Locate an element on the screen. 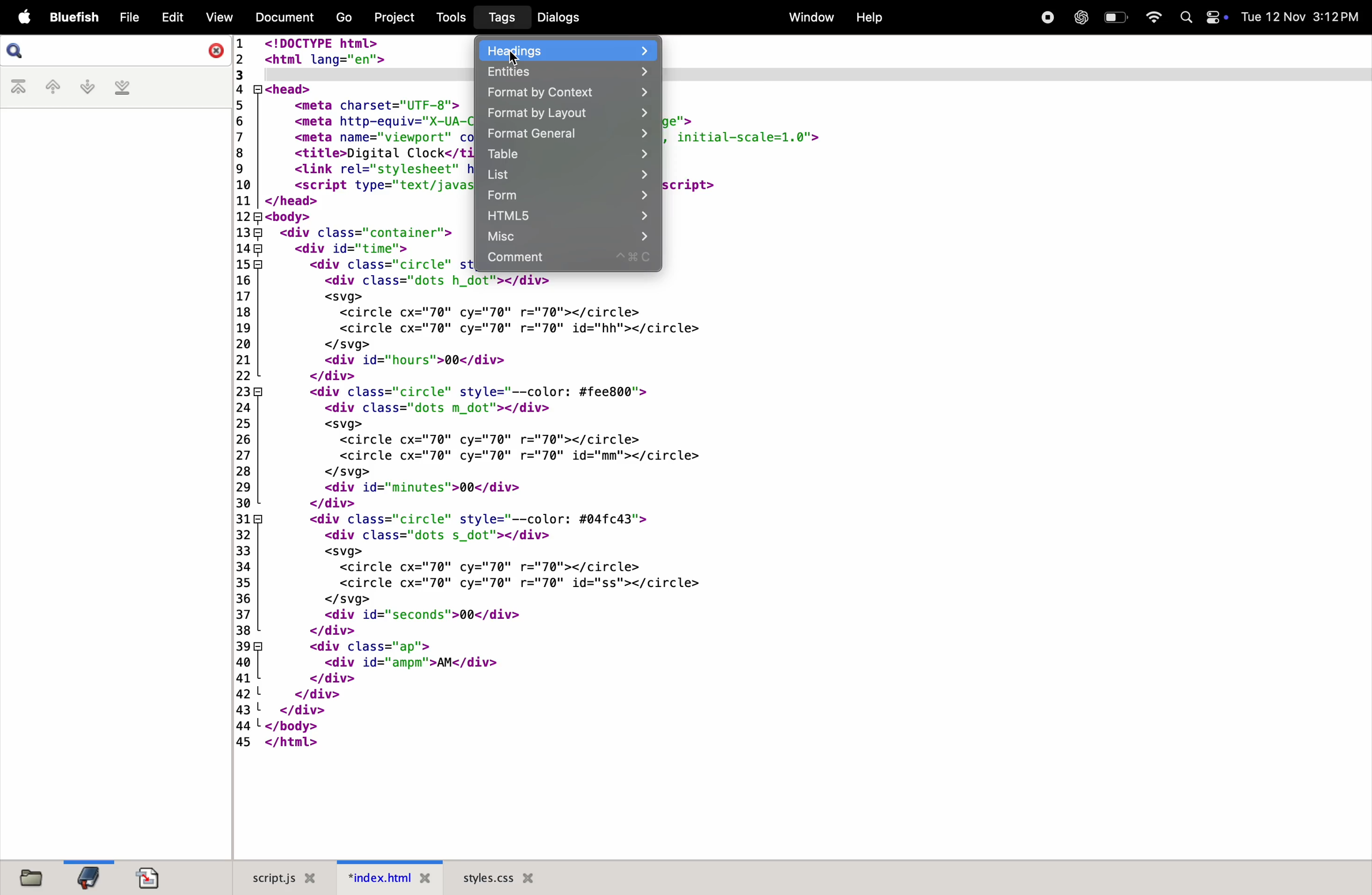 This screenshot has height=895, width=1372. Html5 is located at coordinates (566, 217).